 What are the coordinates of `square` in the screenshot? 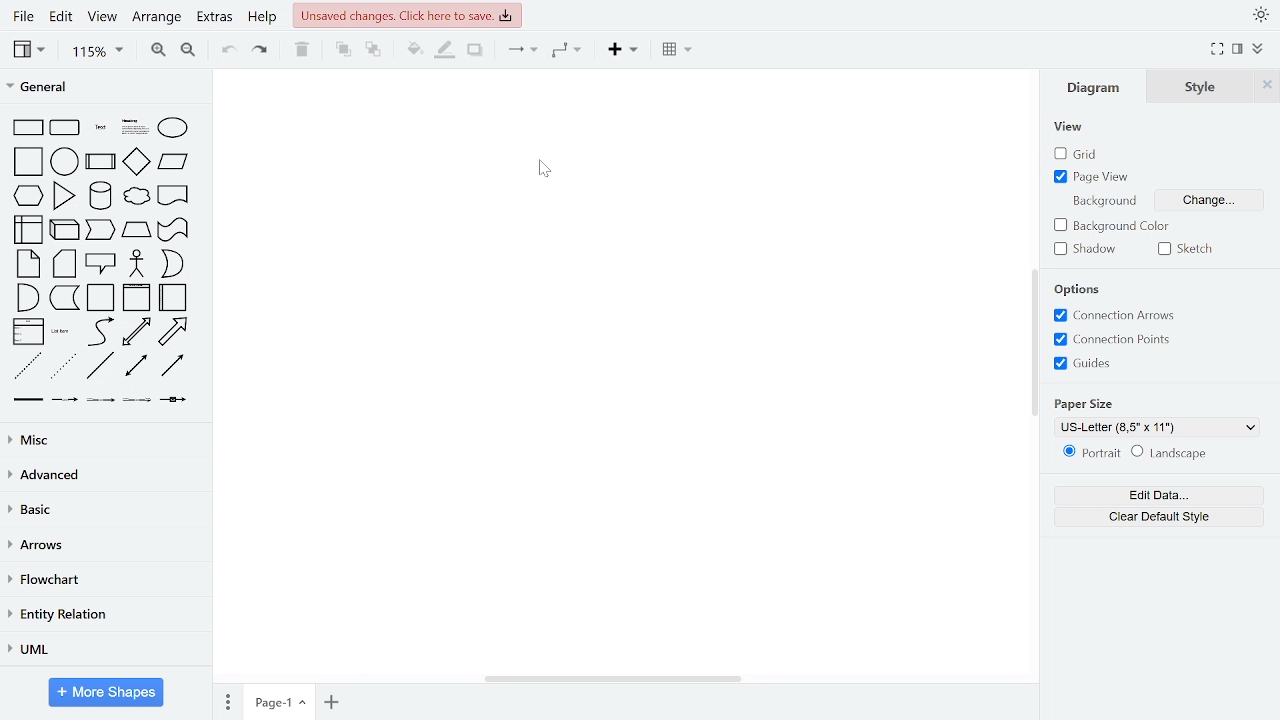 It's located at (28, 161).